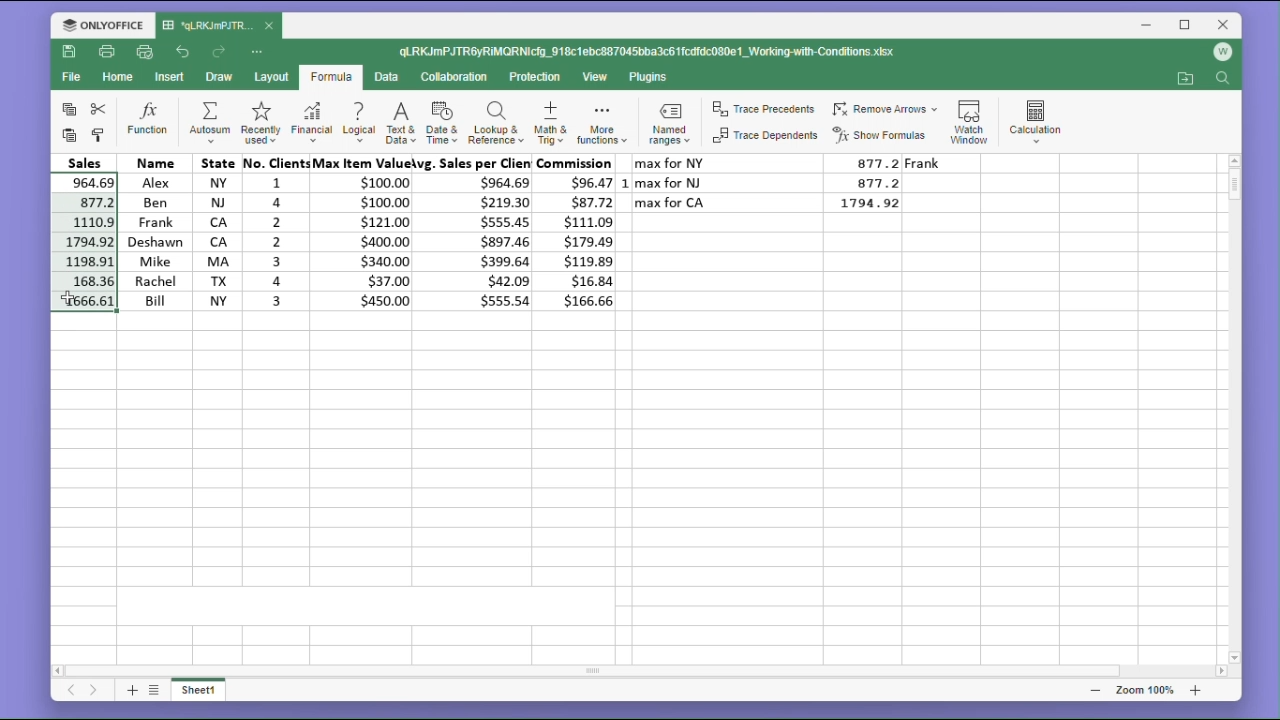 This screenshot has height=720, width=1280. I want to click on show formulas, so click(884, 135).